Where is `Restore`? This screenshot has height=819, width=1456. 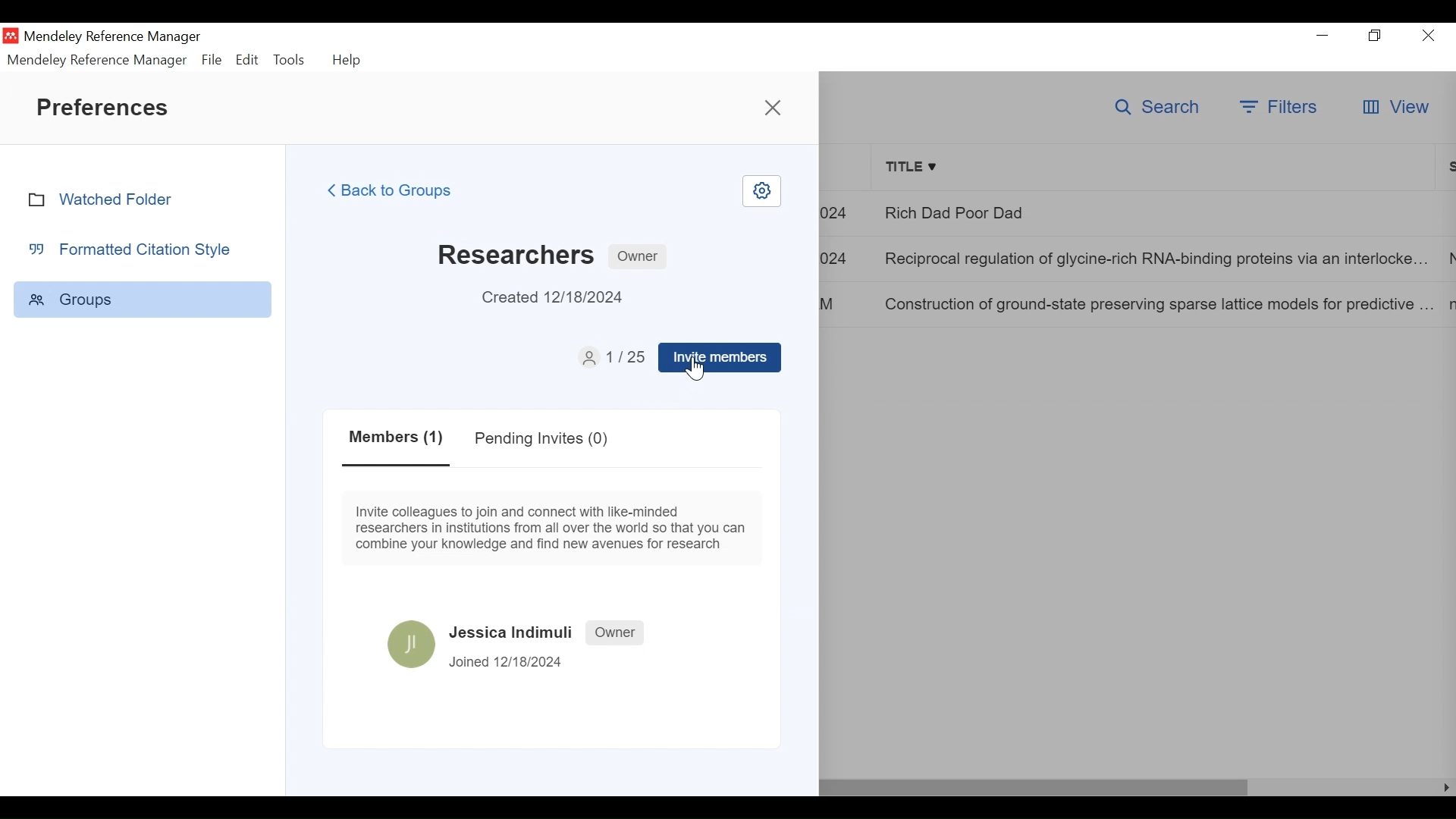 Restore is located at coordinates (1375, 35).